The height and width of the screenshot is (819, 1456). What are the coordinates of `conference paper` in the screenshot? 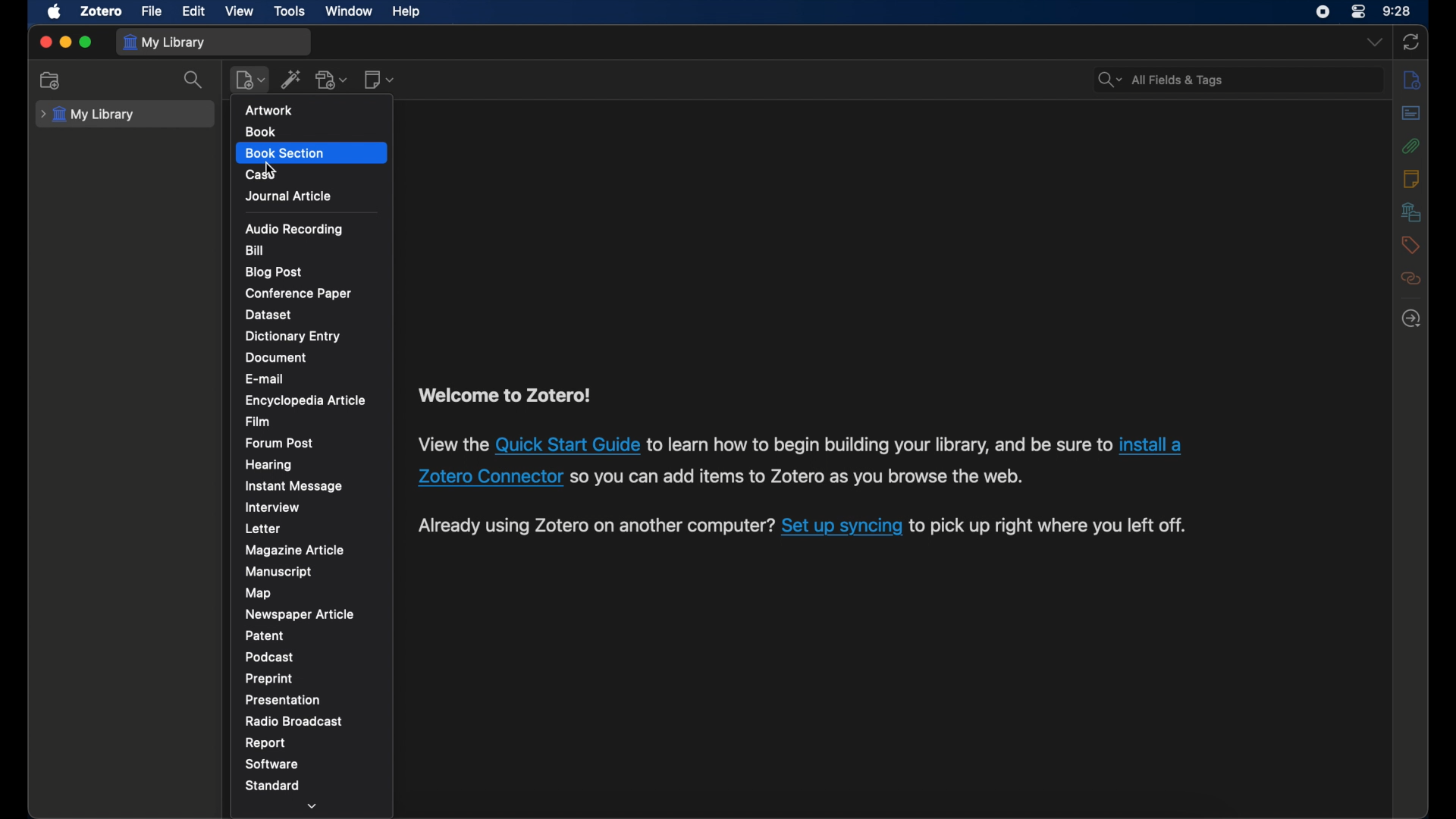 It's located at (297, 293).